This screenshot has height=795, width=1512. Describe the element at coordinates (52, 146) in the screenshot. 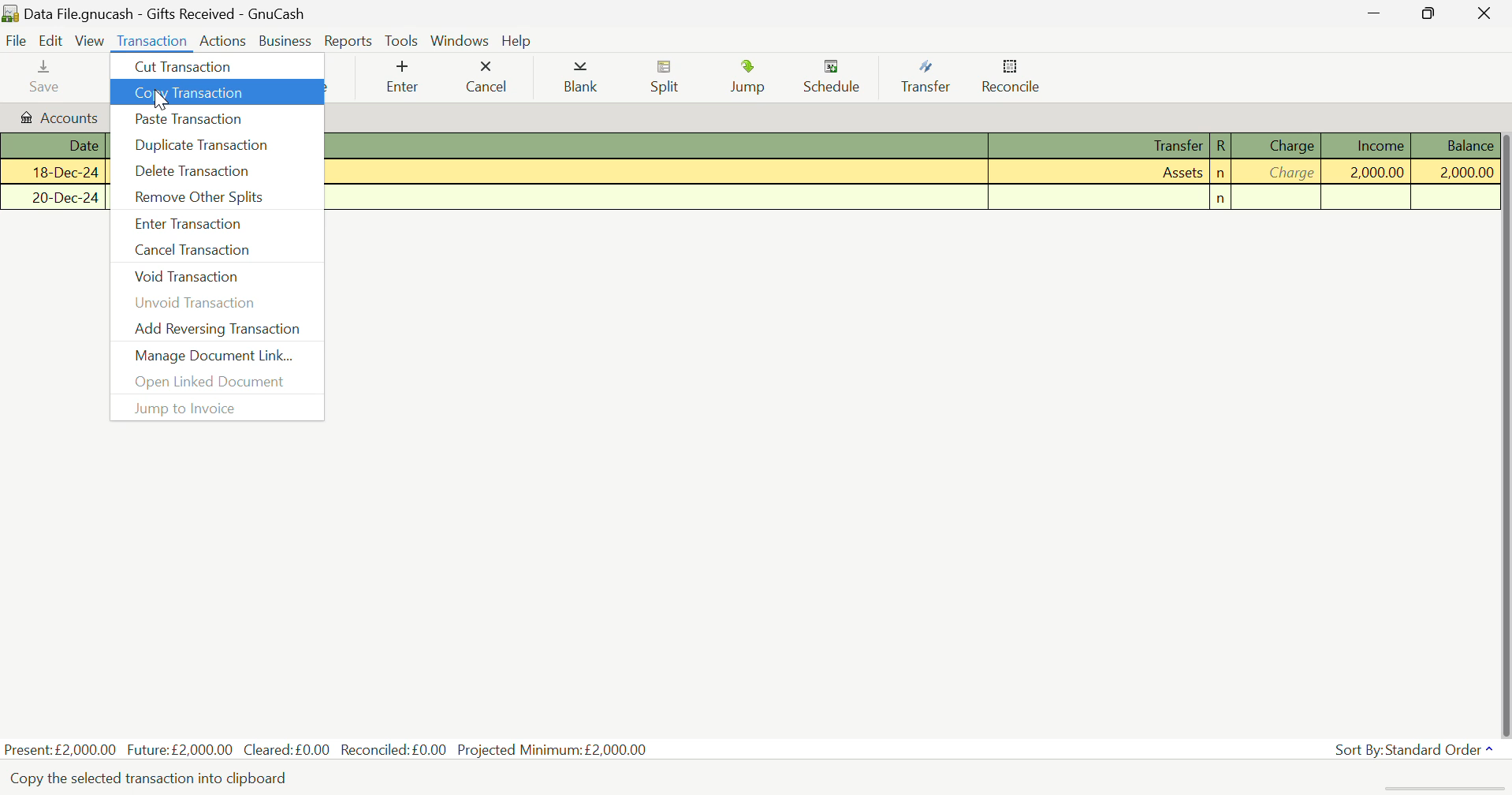

I see `Date` at that location.